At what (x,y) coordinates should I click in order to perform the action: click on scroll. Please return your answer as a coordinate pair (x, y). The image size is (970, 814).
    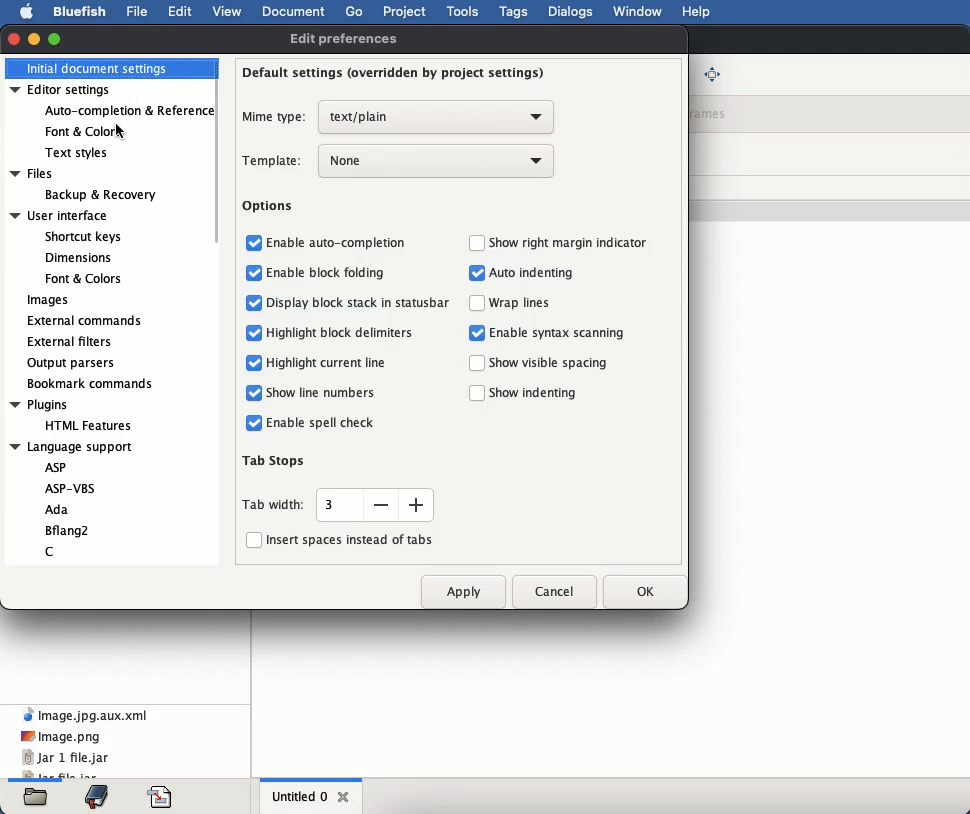
    Looking at the image, I should click on (221, 152).